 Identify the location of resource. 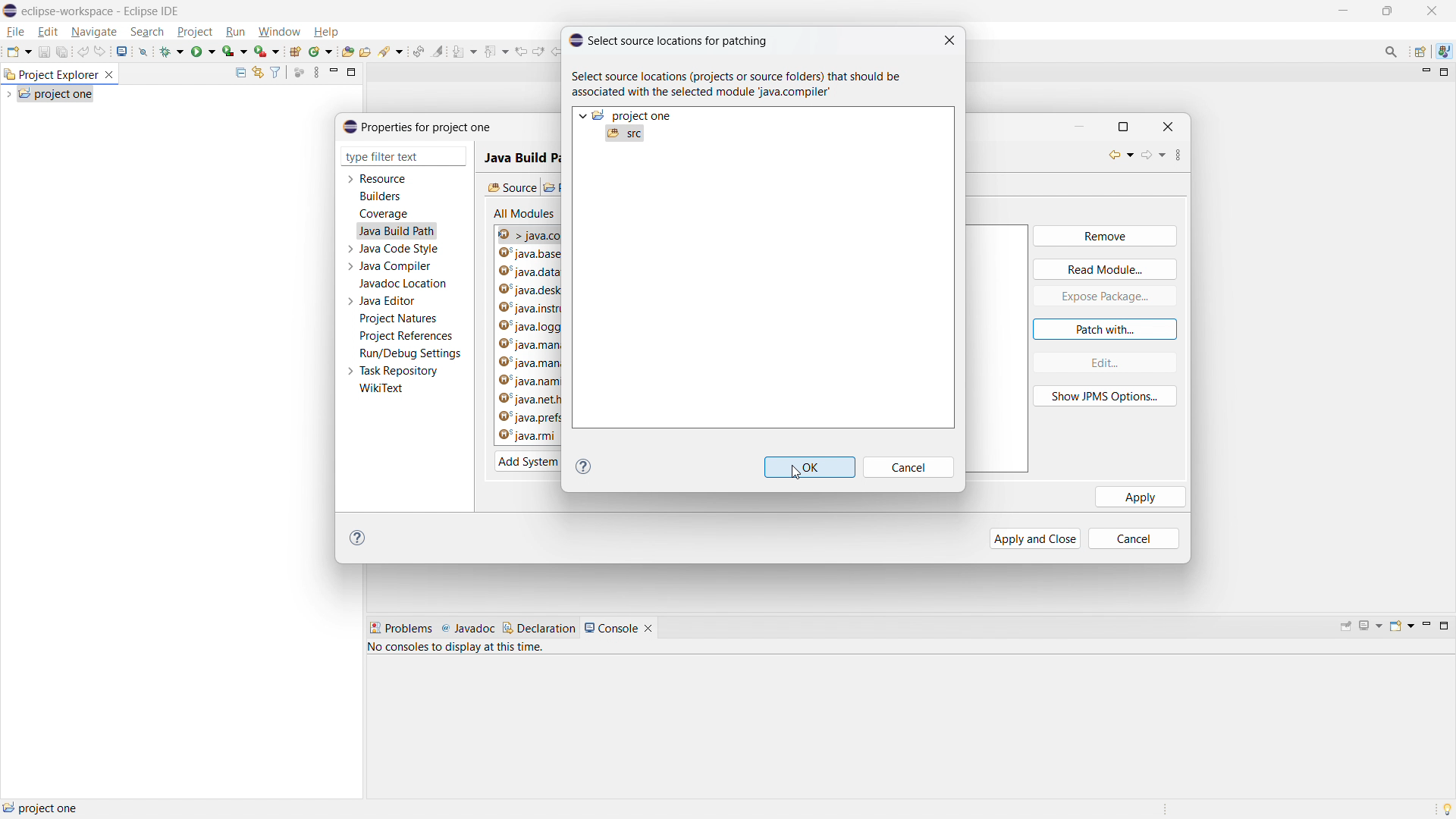
(384, 178).